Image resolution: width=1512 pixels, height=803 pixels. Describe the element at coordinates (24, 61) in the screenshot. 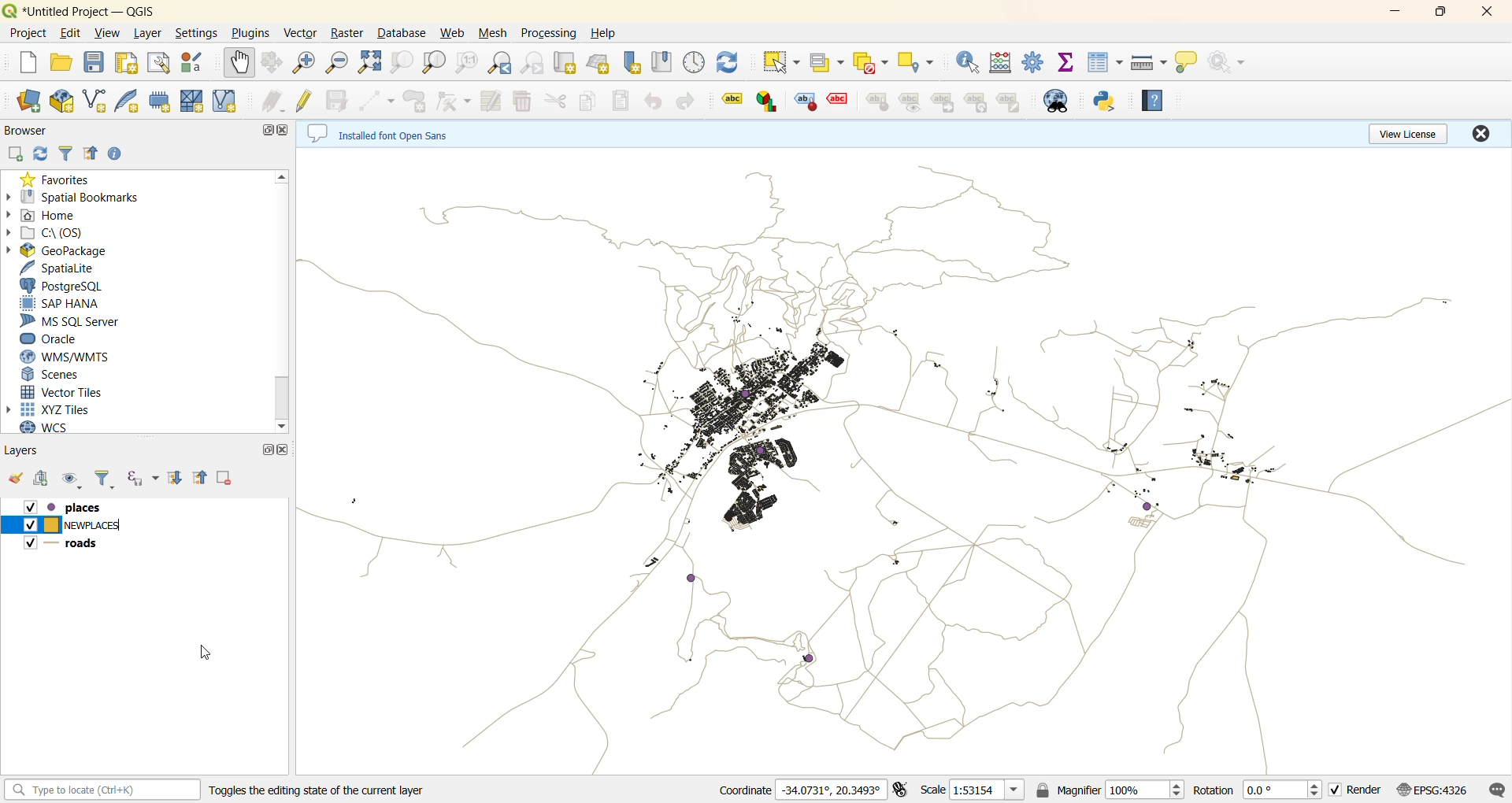

I see `new` at that location.